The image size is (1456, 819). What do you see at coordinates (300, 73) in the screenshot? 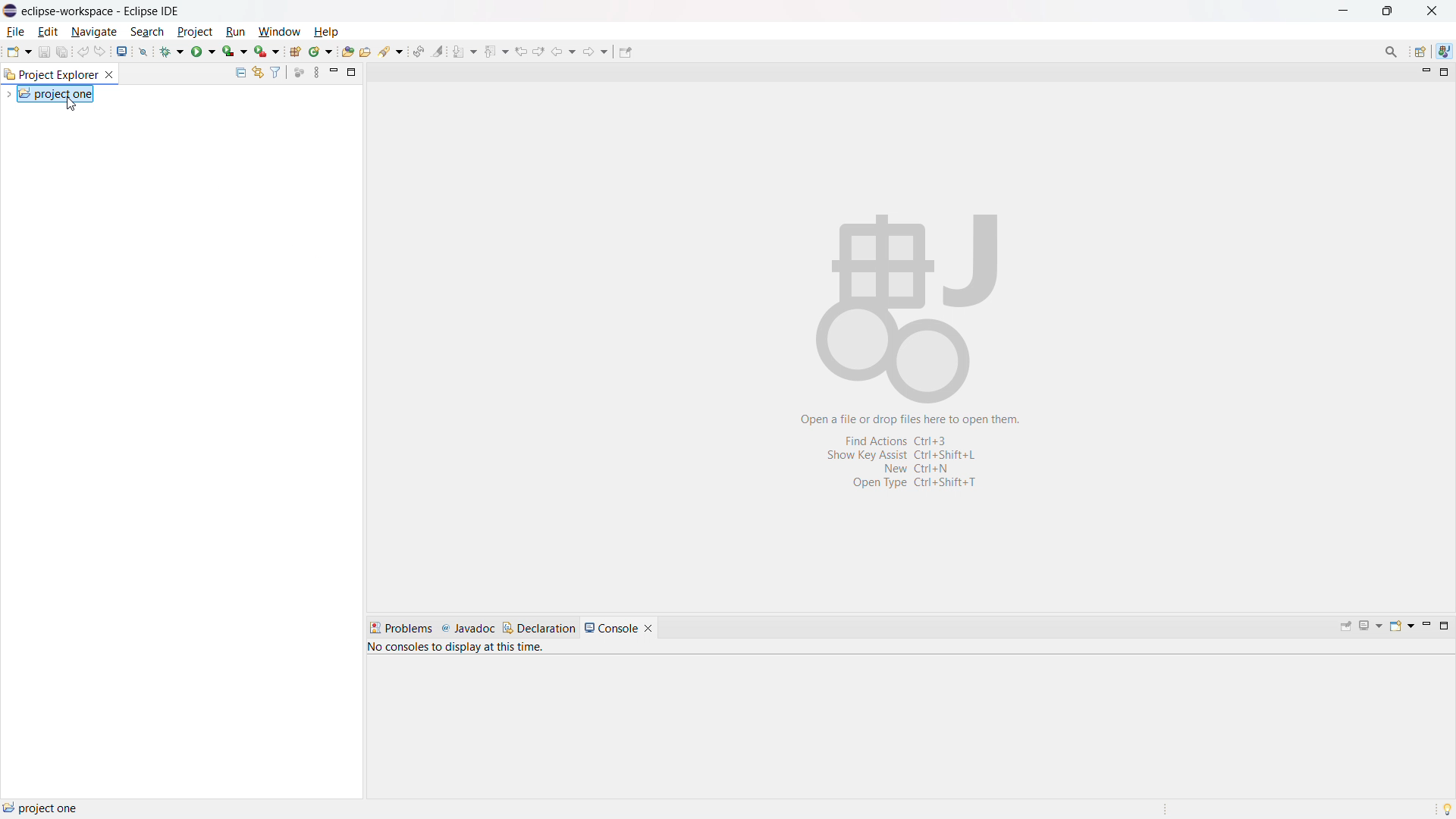
I see `focus on active task ` at bounding box center [300, 73].